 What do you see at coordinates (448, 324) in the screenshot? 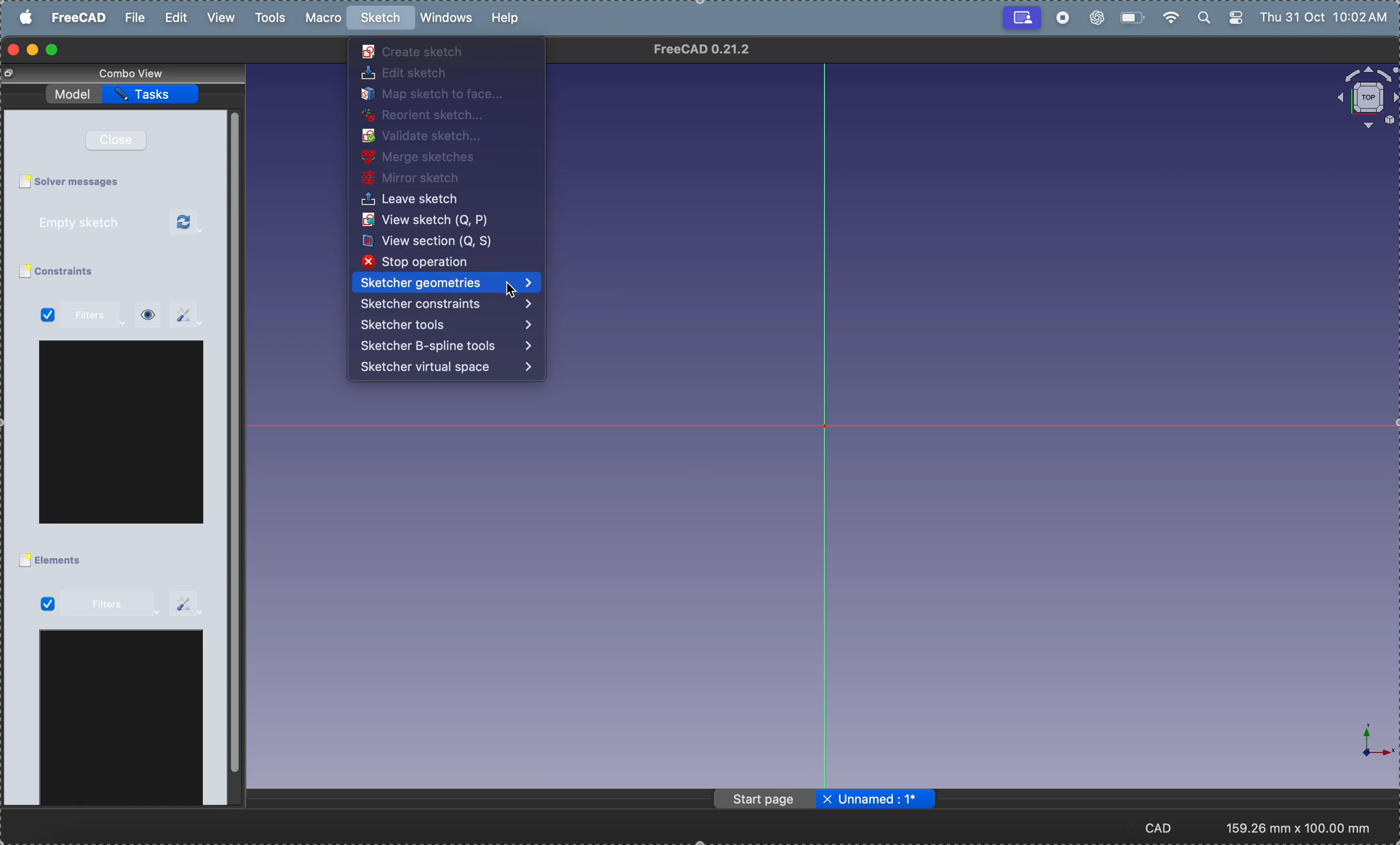
I see `sketcher tools` at bounding box center [448, 324].